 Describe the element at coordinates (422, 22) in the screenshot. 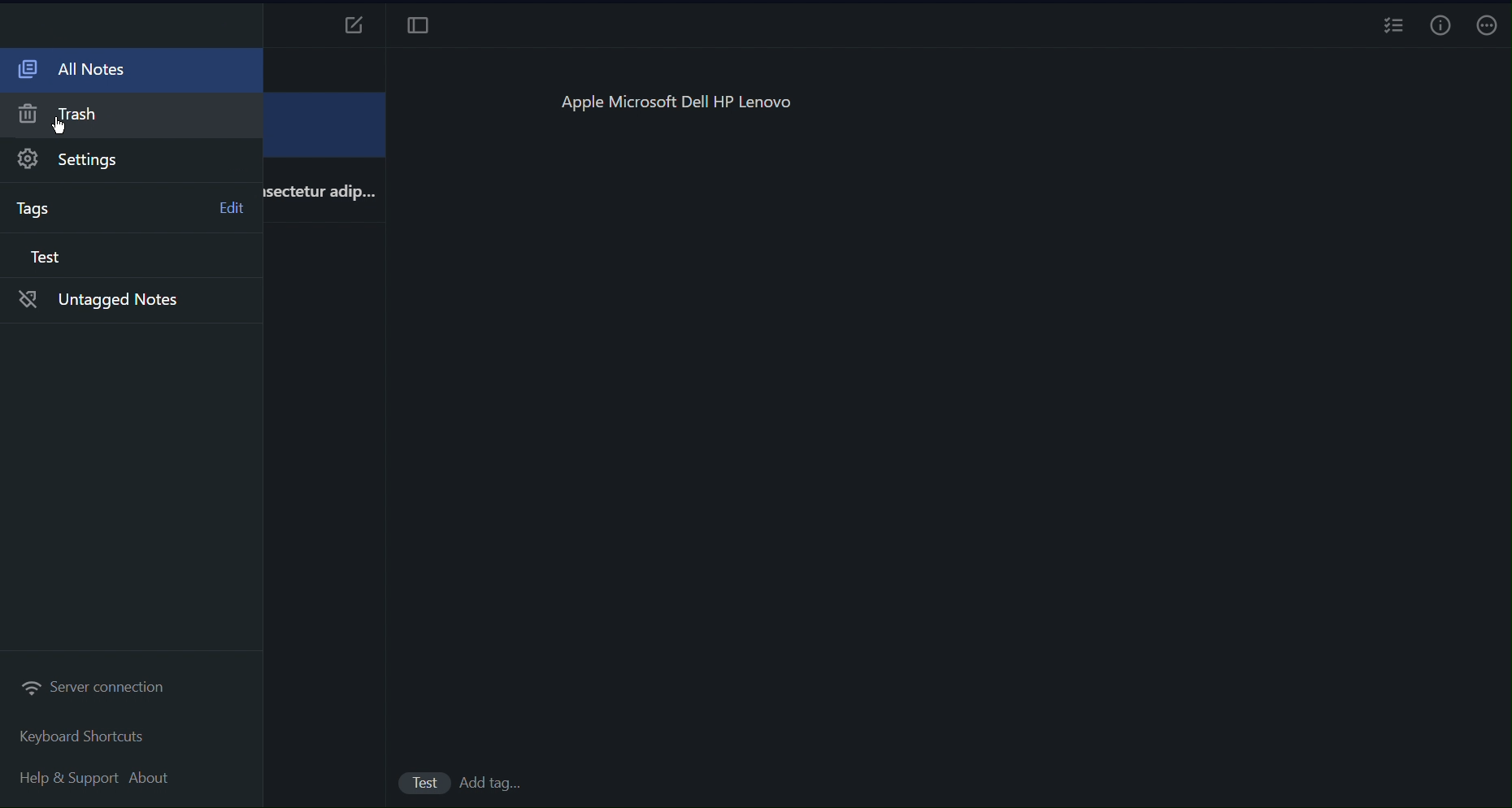

I see `Focus Mode` at that location.